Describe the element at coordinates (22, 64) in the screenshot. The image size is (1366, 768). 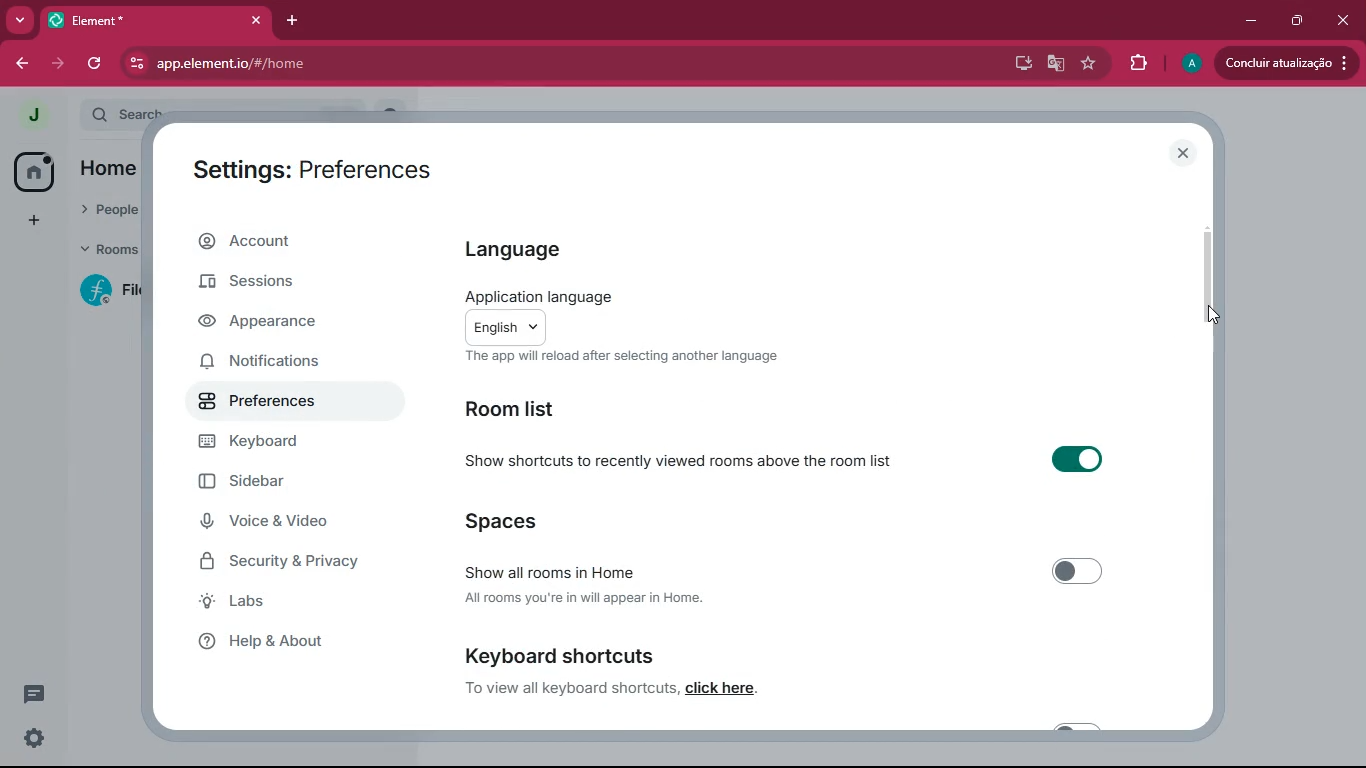
I see `back` at that location.